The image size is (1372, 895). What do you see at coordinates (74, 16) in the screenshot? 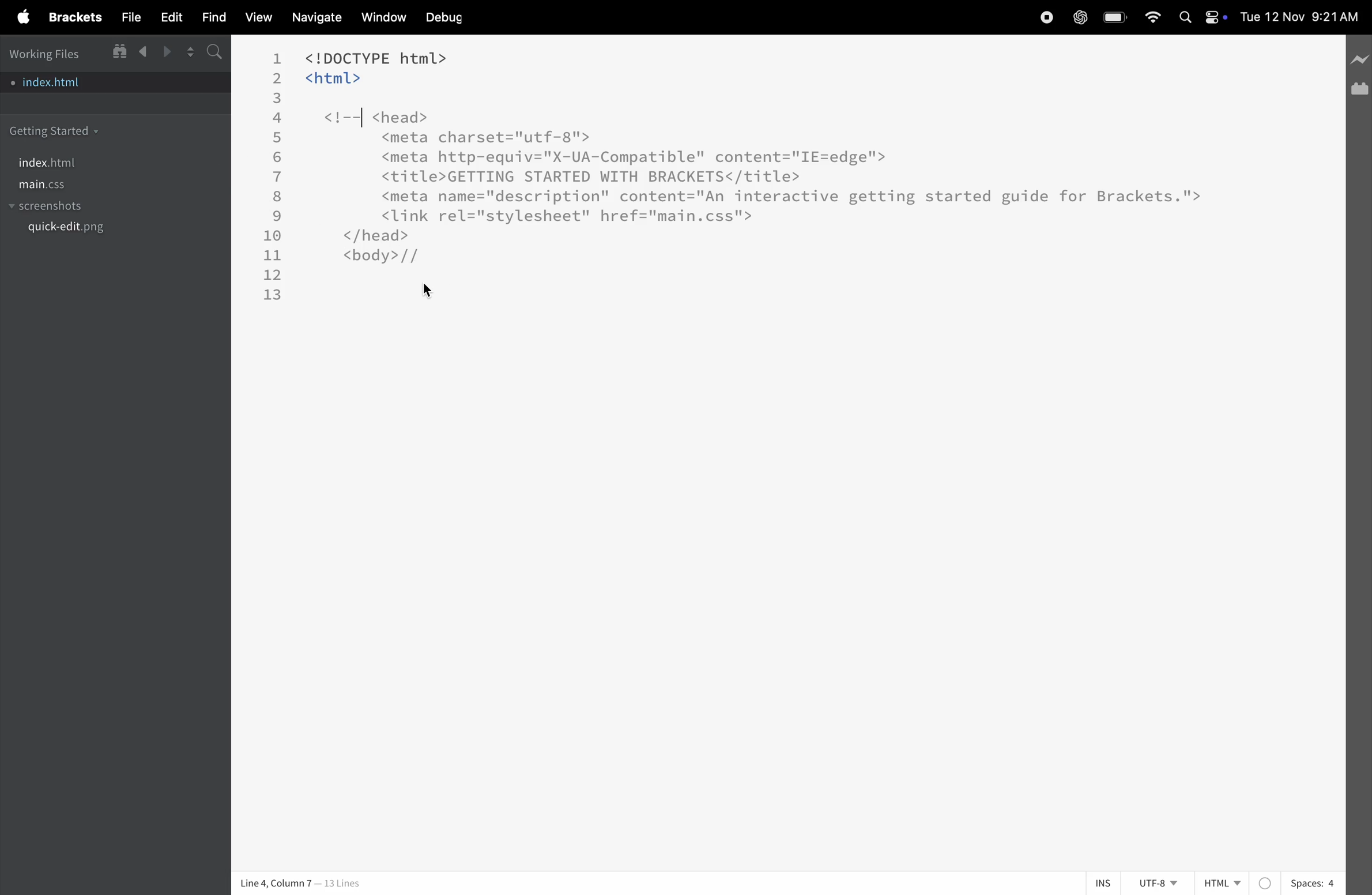
I see `brackets` at bounding box center [74, 16].